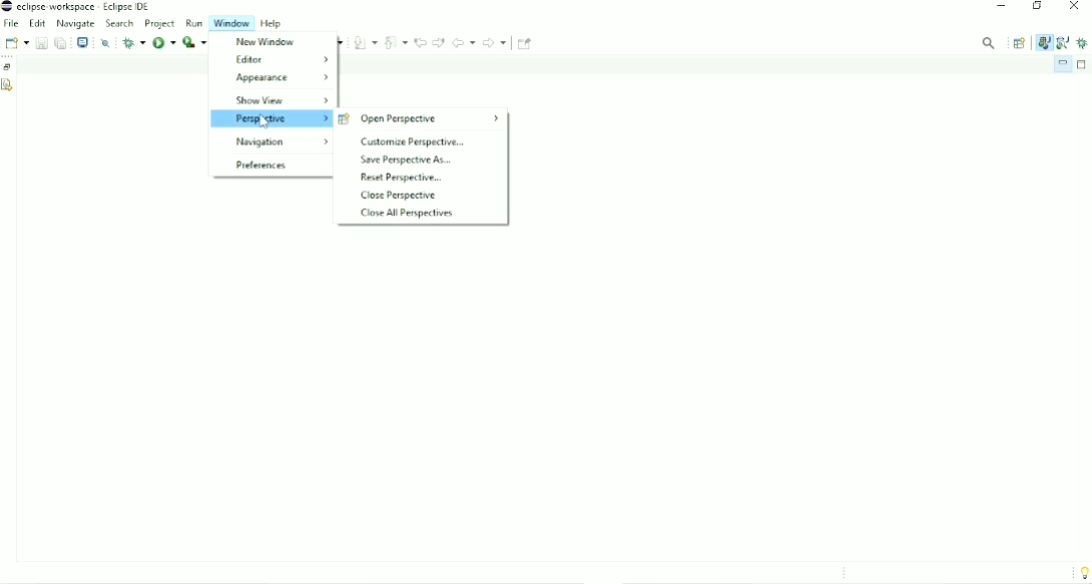 This screenshot has height=584, width=1092. Describe the element at coordinates (397, 41) in the screenshot. I see `Previous Annotation` at that location.